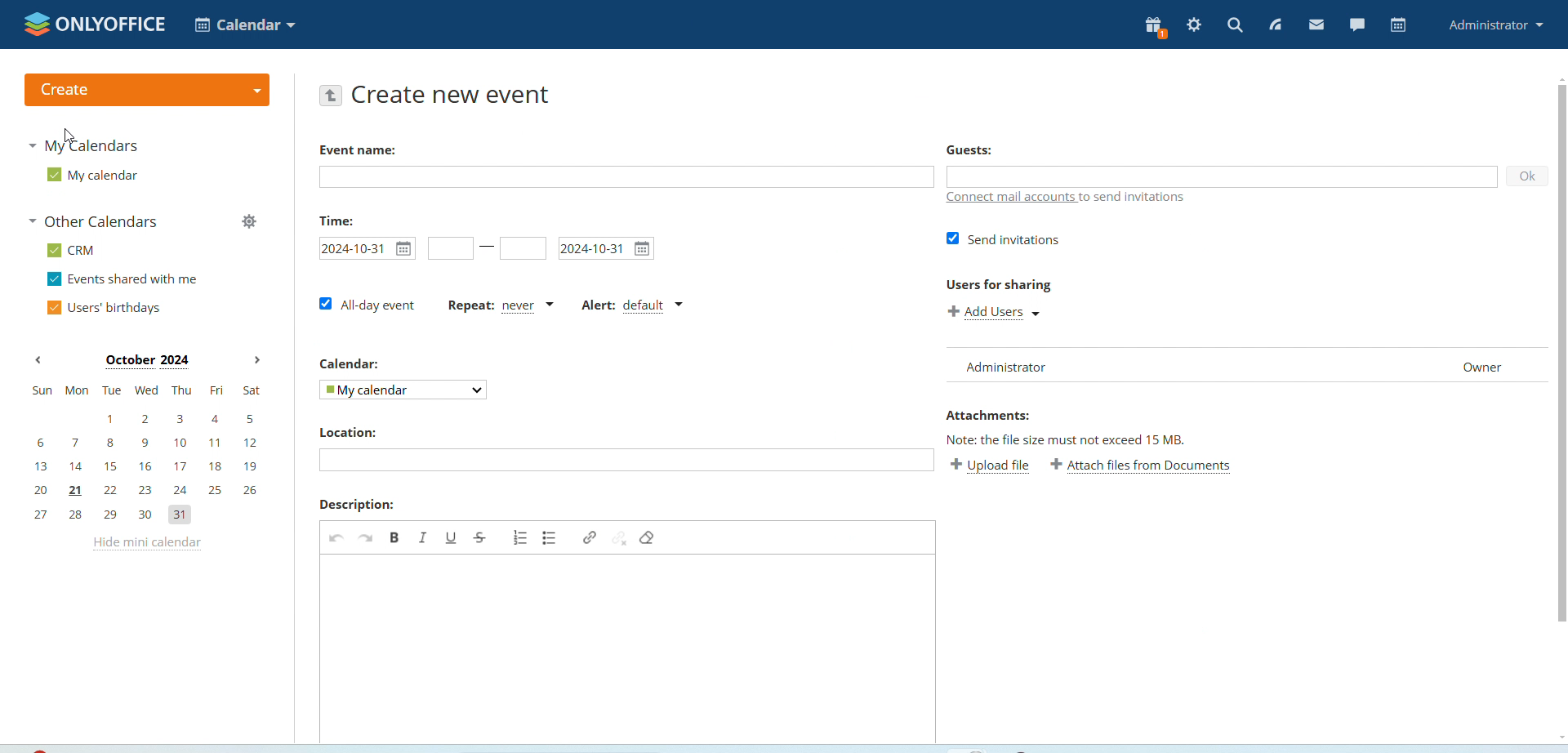 Image resolution: width=1568 pixels, height=753 pixels. Describe the element at coordinates (95, 24) in the screenshot. I see `onlyoffice logo` at that location.